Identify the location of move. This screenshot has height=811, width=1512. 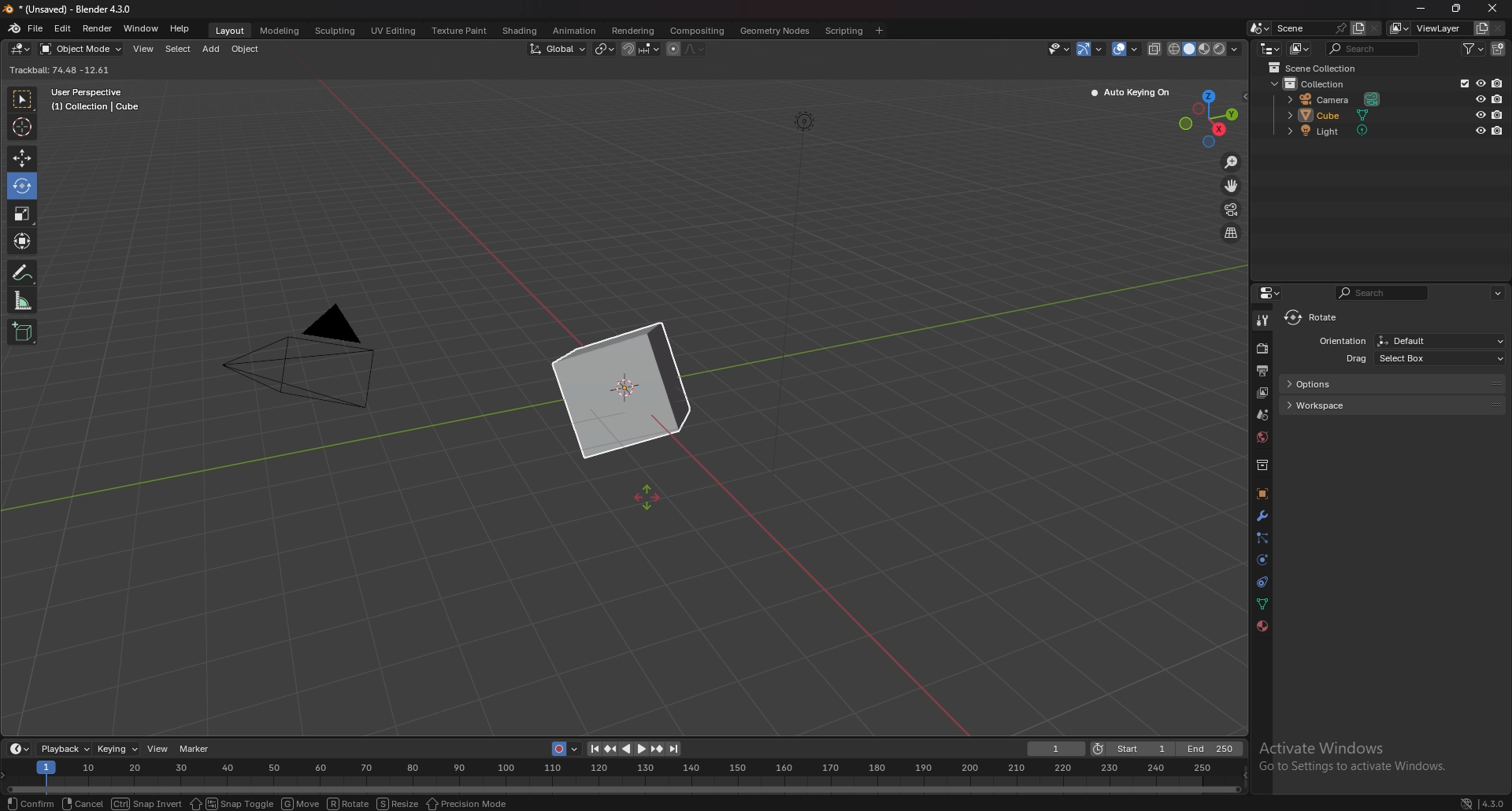
(21, 159).